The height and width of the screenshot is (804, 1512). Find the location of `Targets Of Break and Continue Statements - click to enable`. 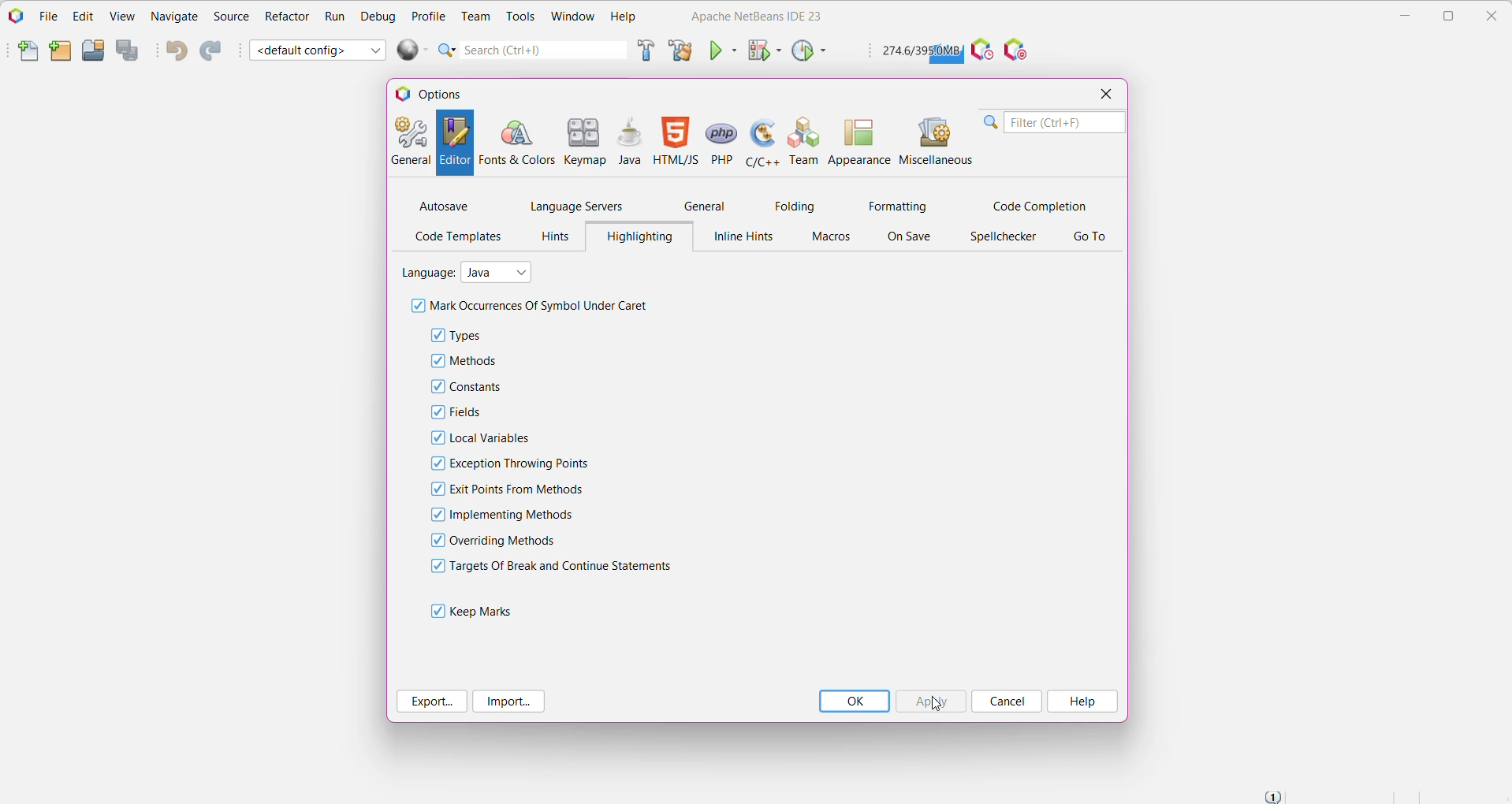

Targets Of Break and Continue Statements - click to enable is located at coordinates (570, 568).